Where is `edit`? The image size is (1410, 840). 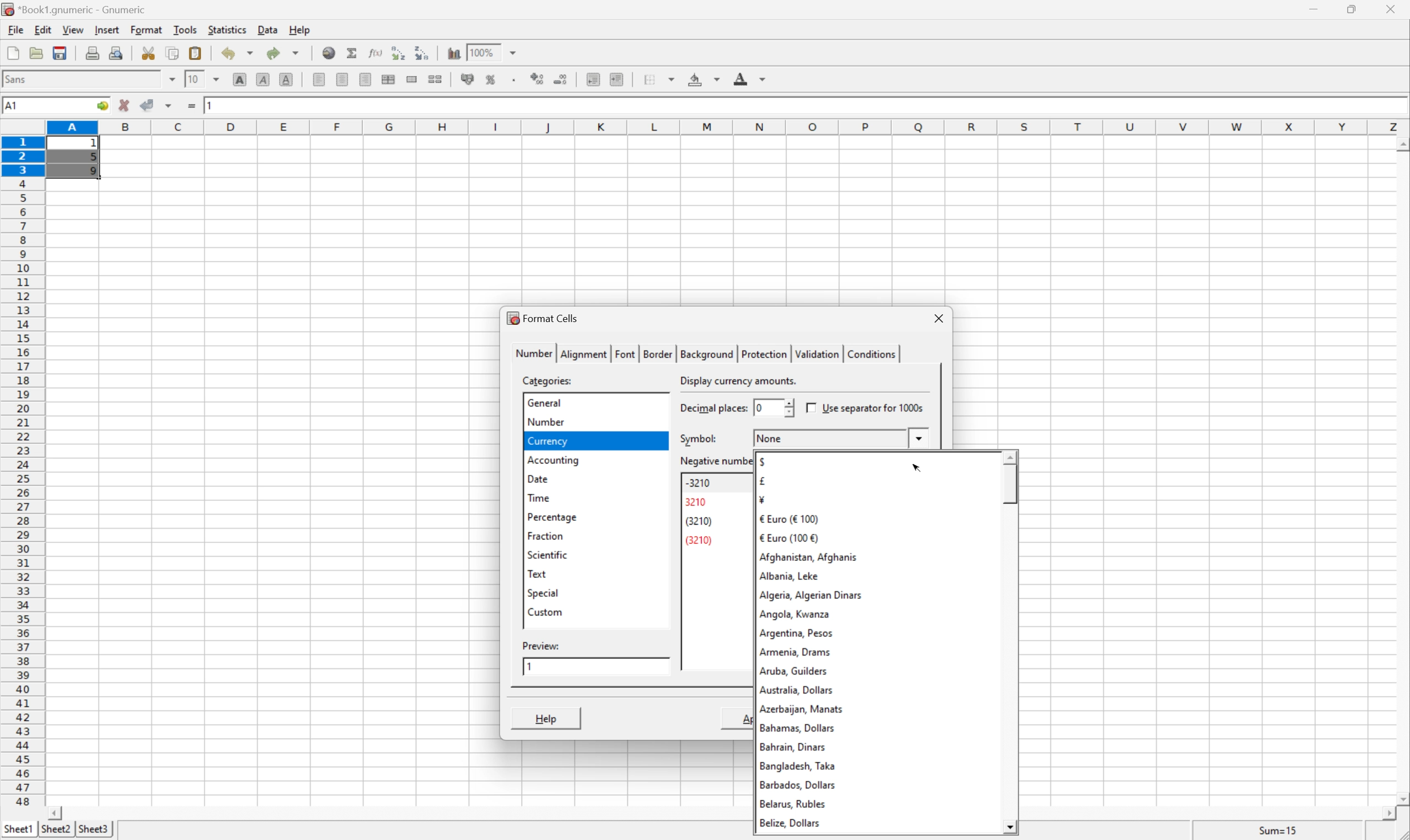 edit is located at coordinates (44, 28).